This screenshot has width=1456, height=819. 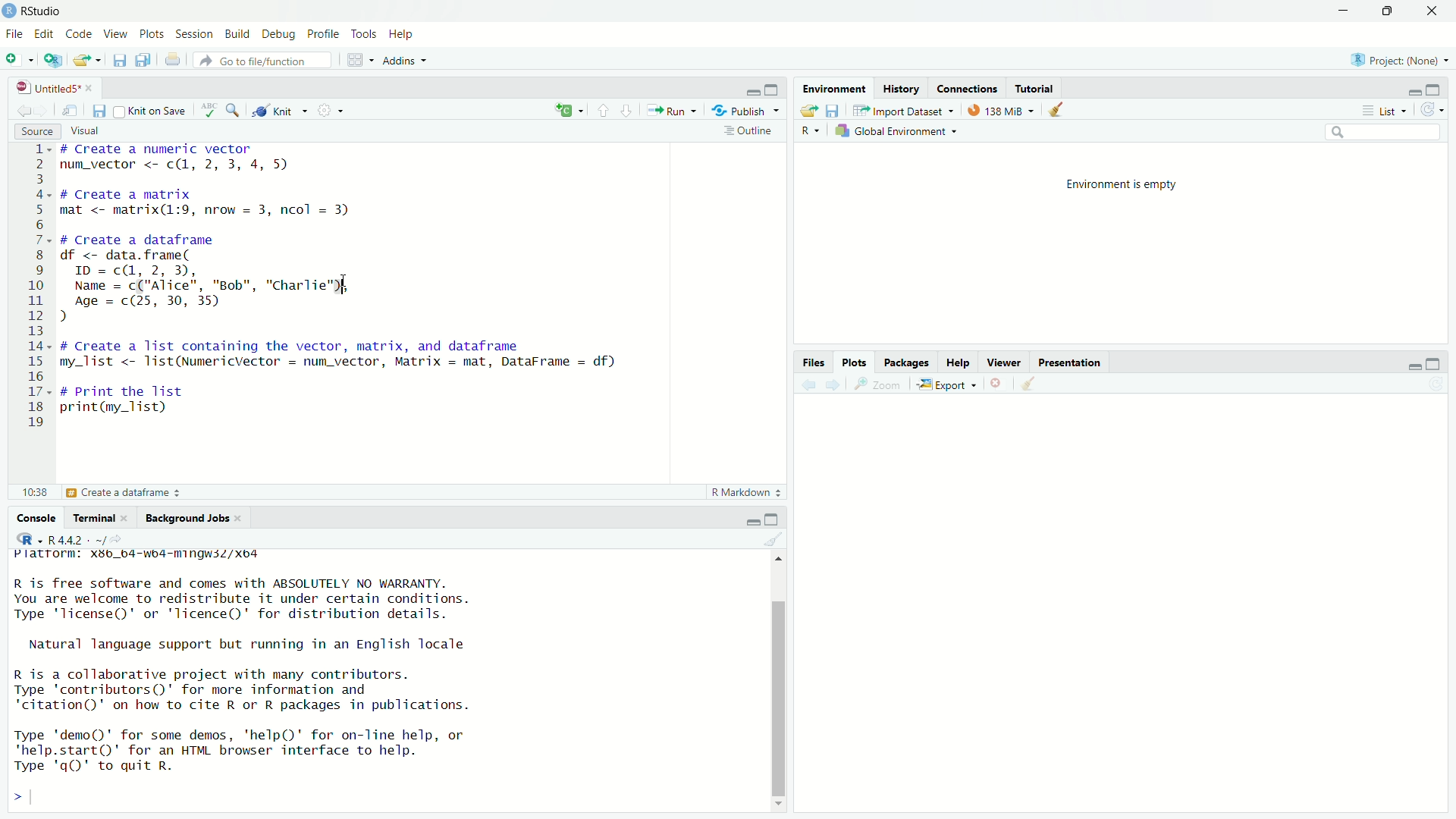 I want to click on Environment is empty, so click(x=1125, y=182).